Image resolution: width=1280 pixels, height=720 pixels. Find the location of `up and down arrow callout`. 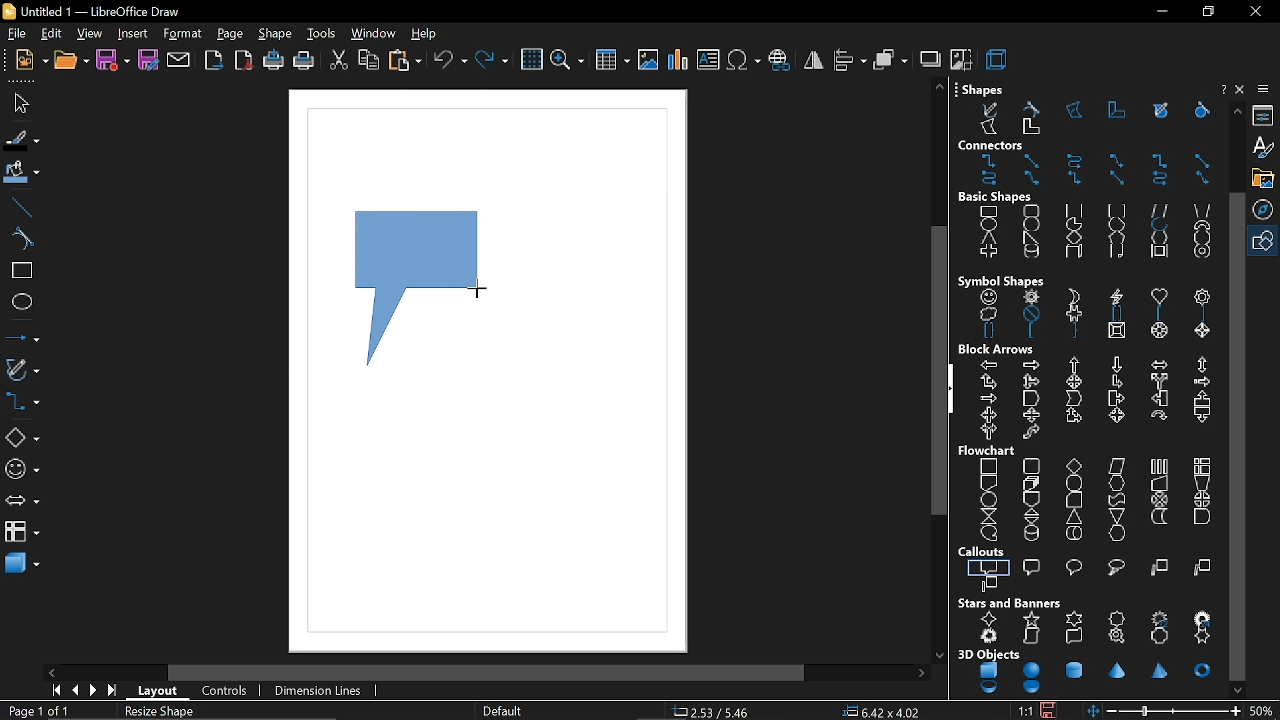

up and down arrow callout is located at coordinates (1029, 415).